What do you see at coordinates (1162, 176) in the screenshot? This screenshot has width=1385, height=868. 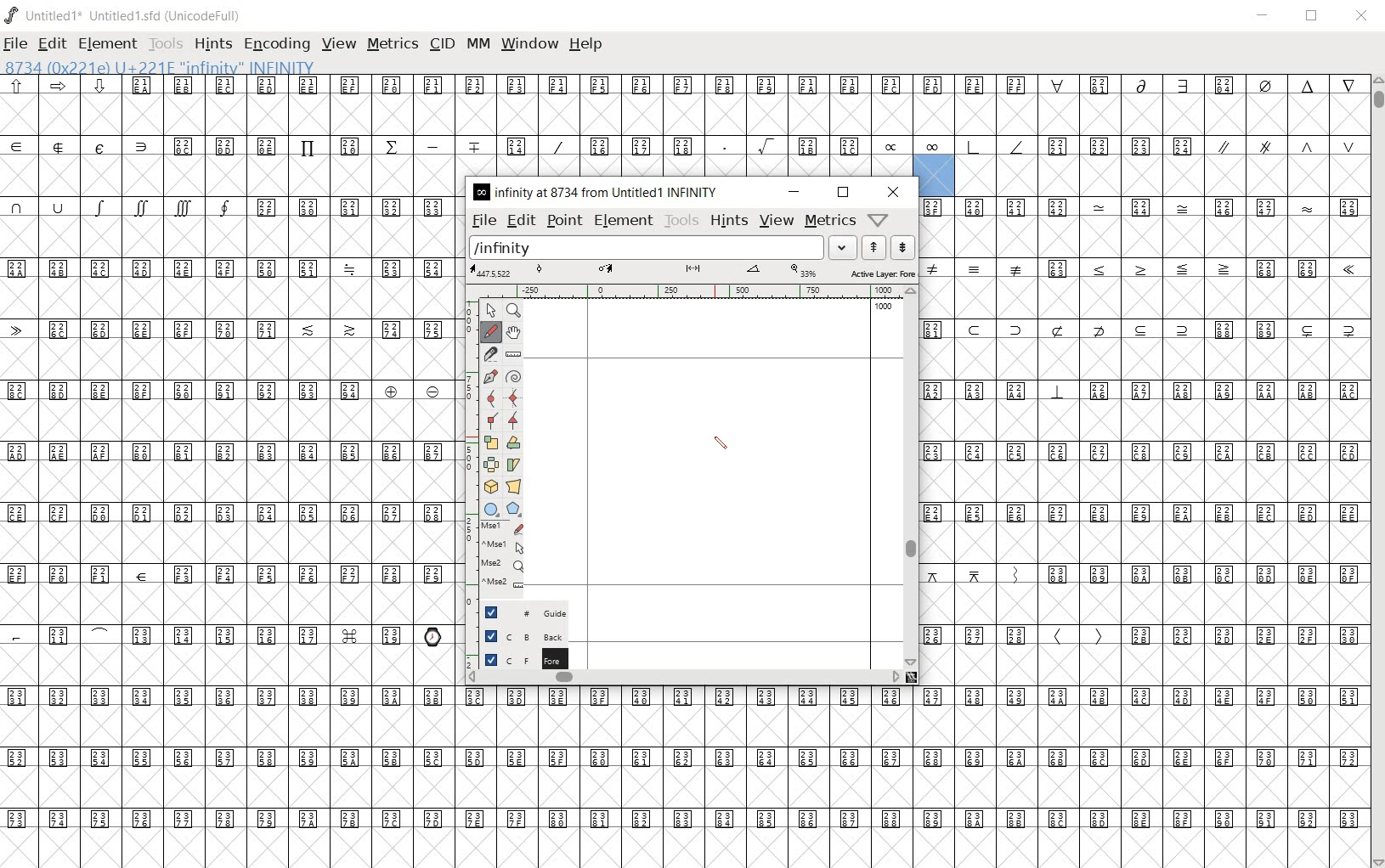 I see `empty glyph slots` at bounding box center [1162, 176].